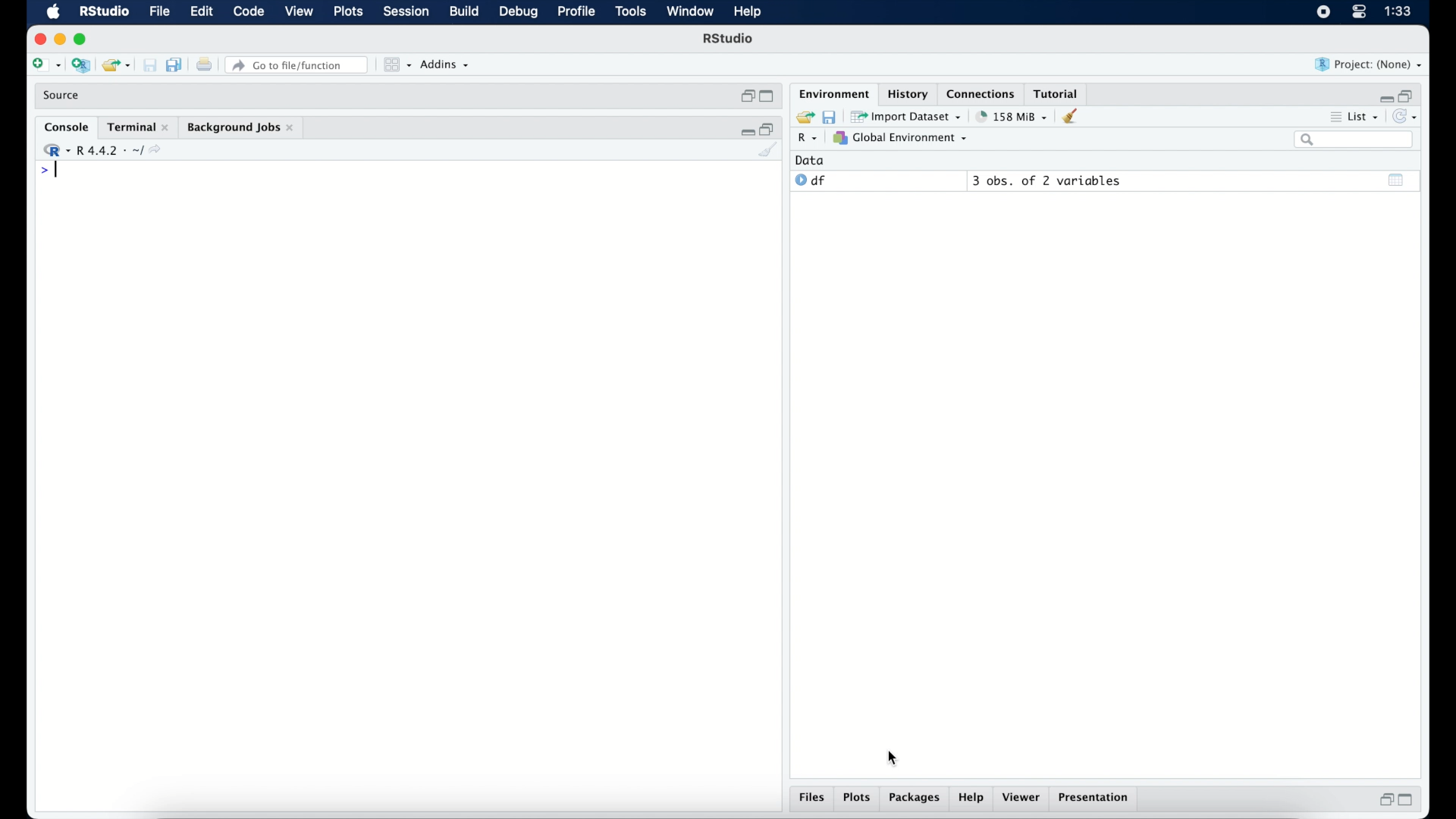 This screenshot has height=819, width=1456. What do you see at coordinates (748, 12) in the screenshot?
I see `help` at bounding box center [748, 12].